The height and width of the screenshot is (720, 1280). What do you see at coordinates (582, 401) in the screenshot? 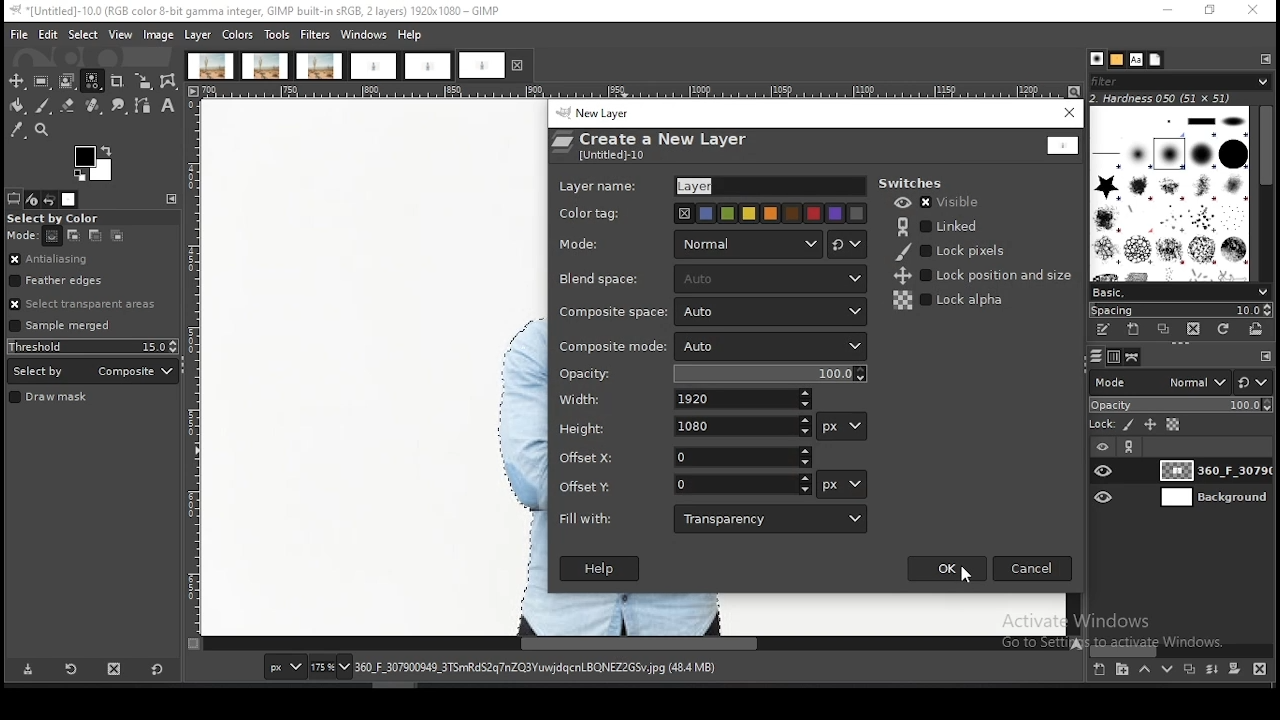
I see `width:` at bounding box center [582, 401].